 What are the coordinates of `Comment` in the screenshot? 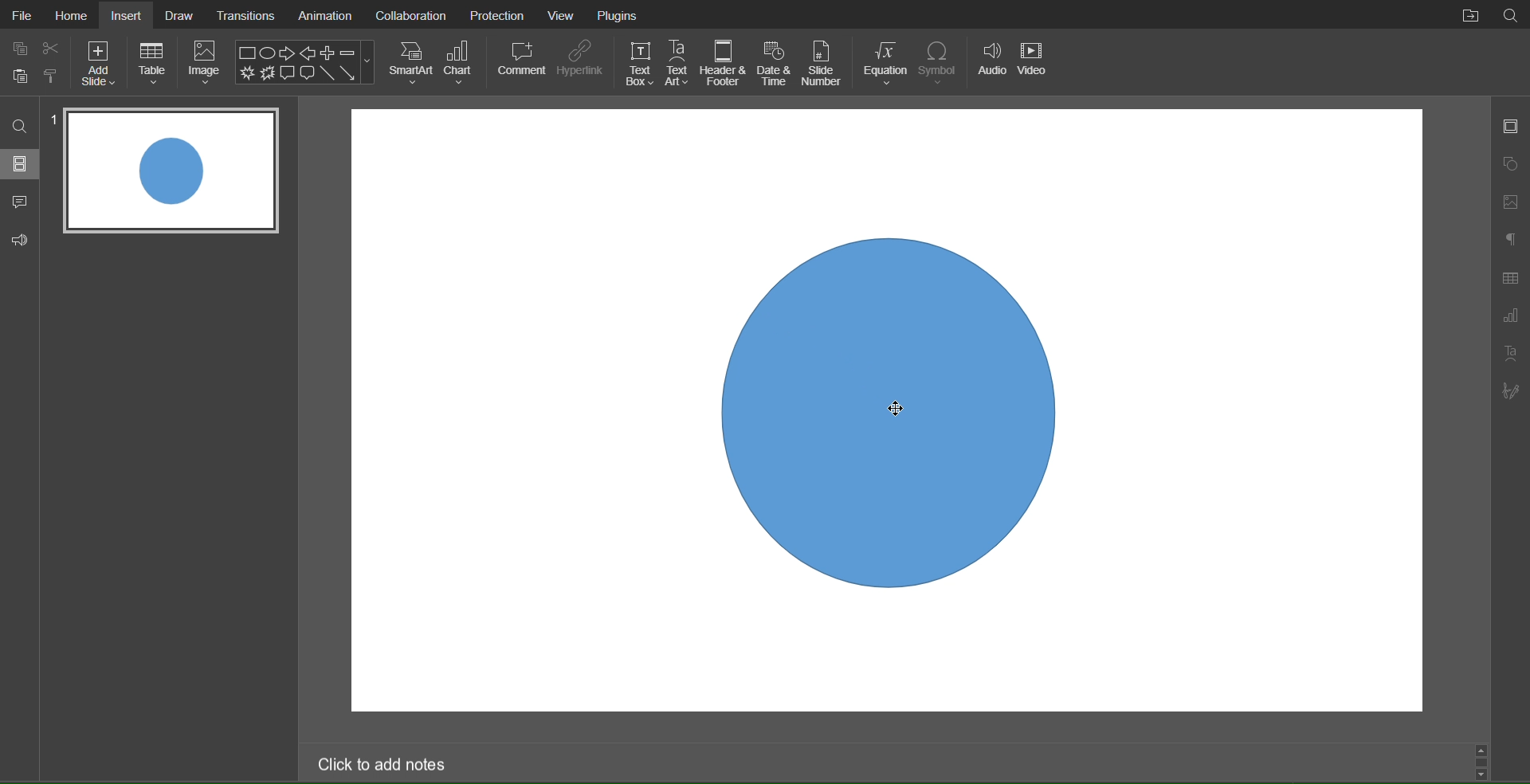 It's located at (521, 62).